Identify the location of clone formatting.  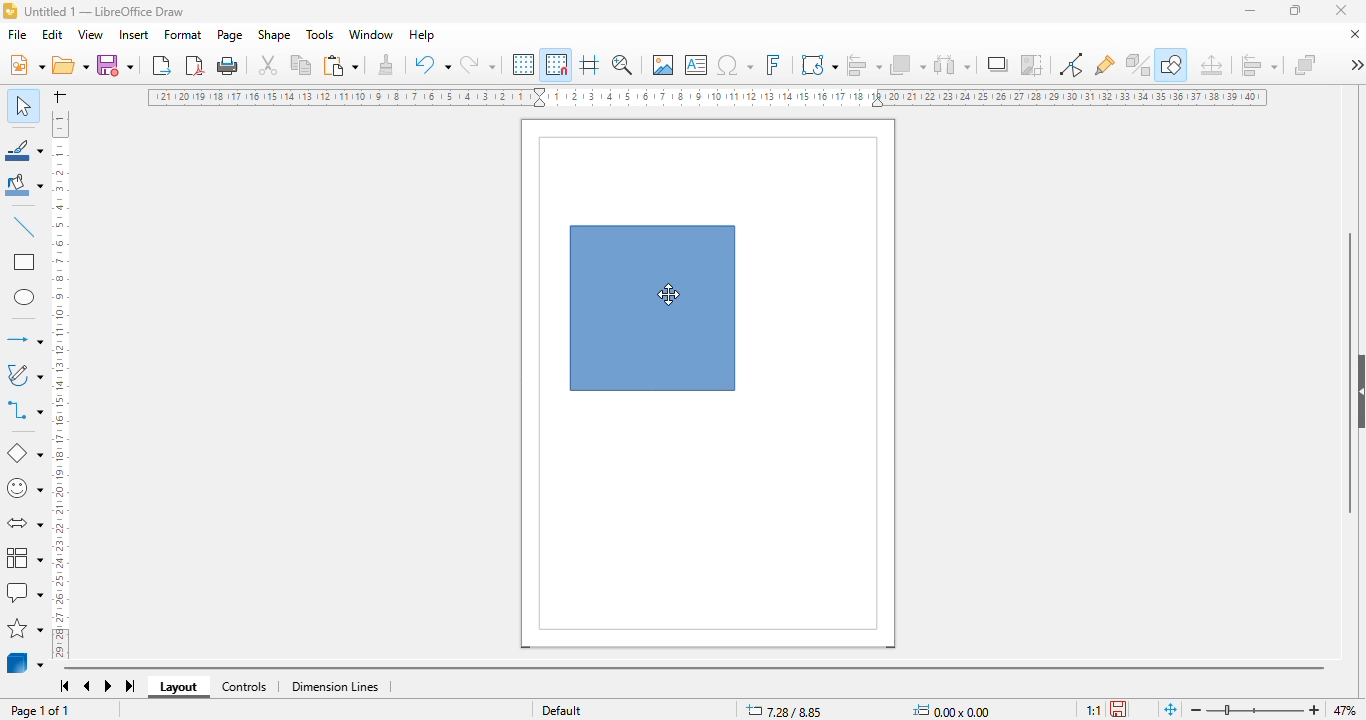
(386, 64).